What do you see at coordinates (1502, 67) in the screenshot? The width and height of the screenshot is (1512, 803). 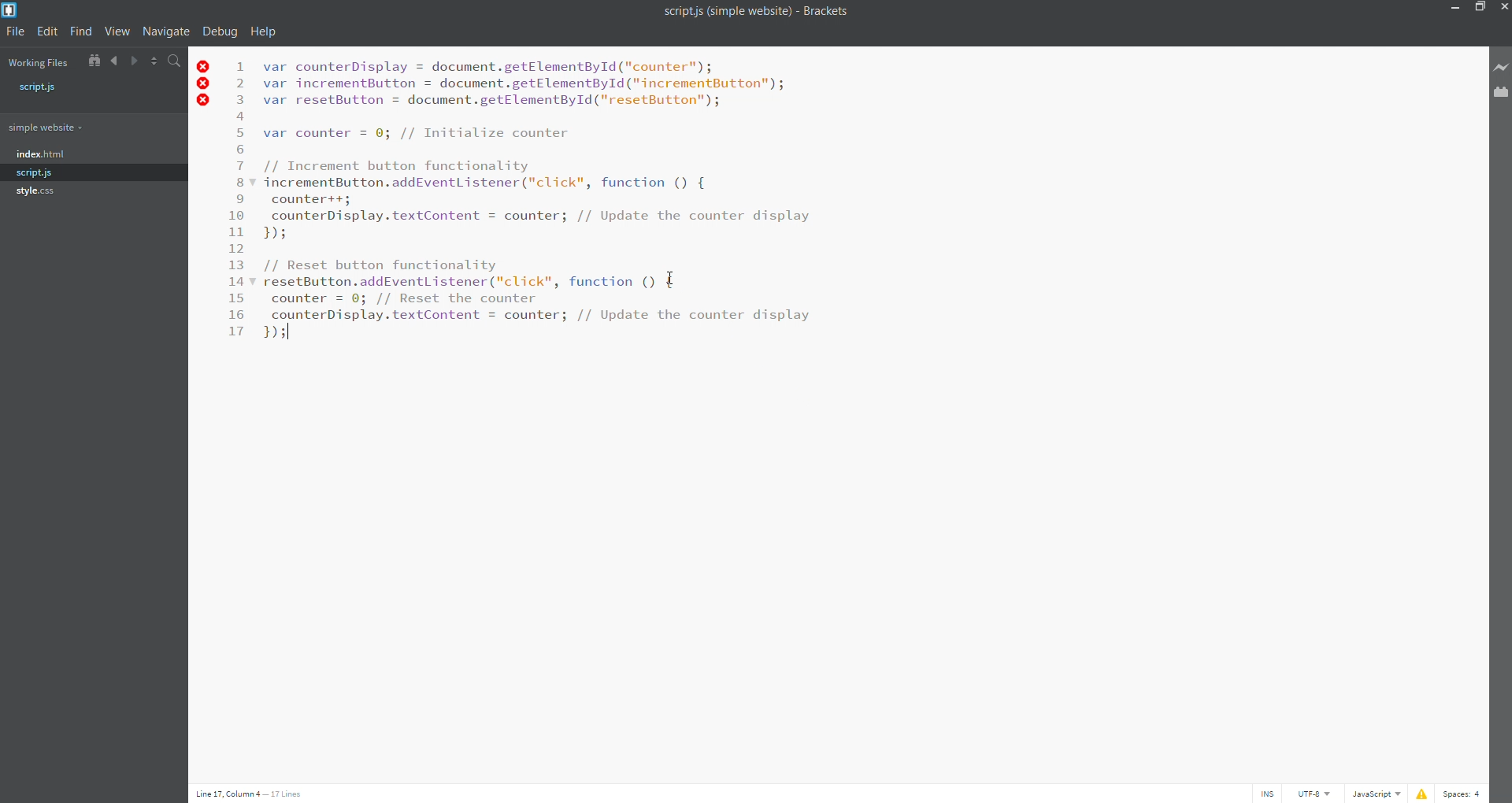 I see `live preview` at bounding box center [1502, 67].